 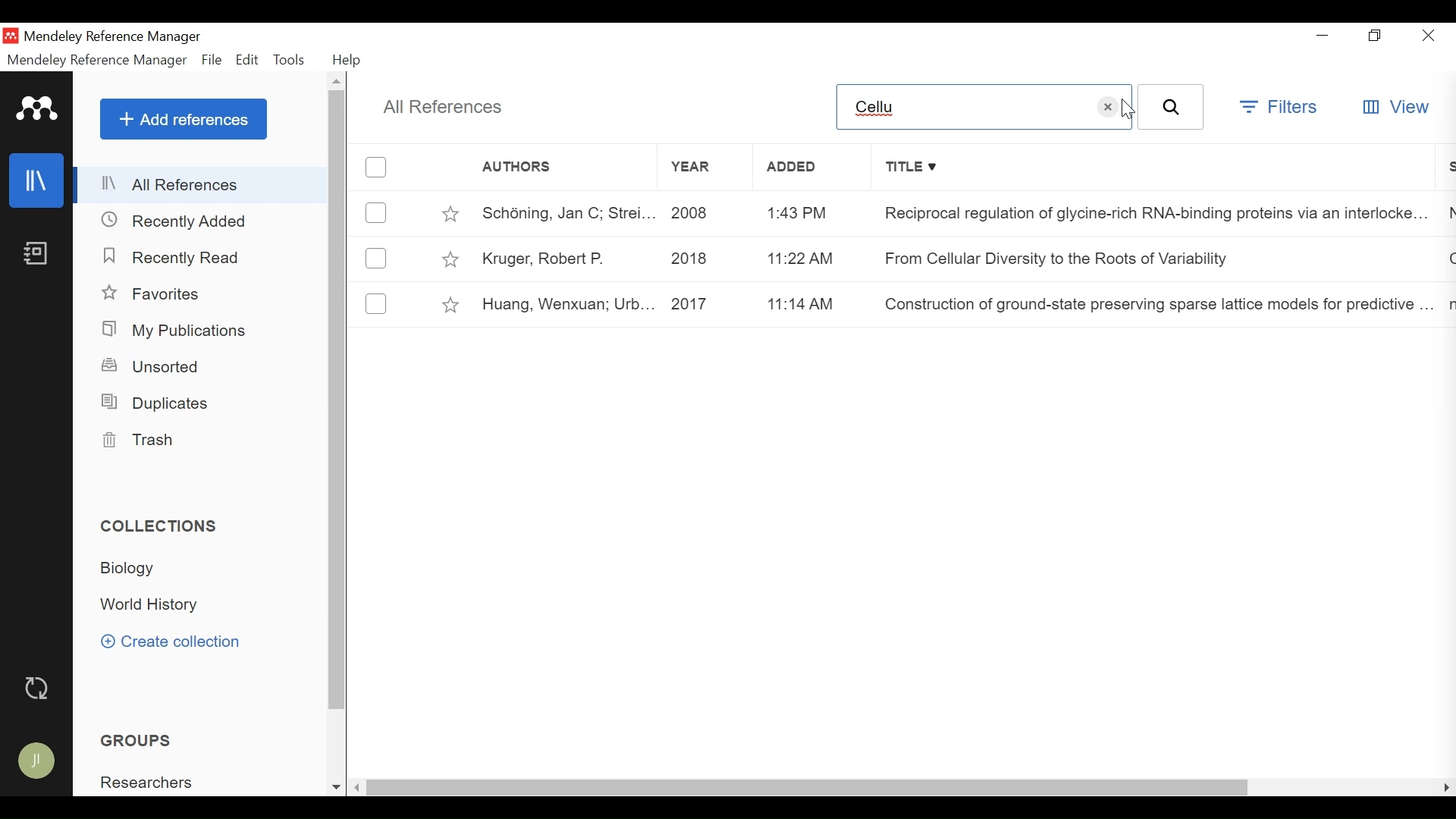 I want to click on minimize, so click(x=1321, y=33).